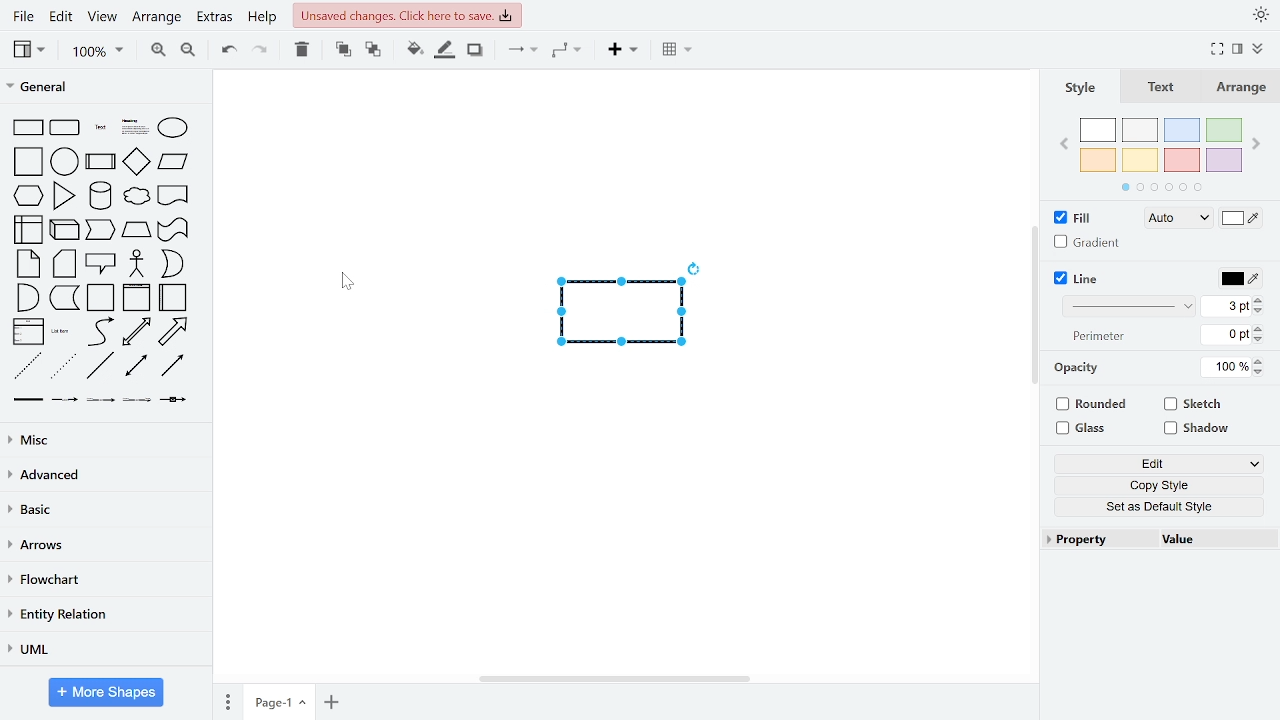 The image size is (1280, 720). I want to click on general shapes, so click(63, 126).